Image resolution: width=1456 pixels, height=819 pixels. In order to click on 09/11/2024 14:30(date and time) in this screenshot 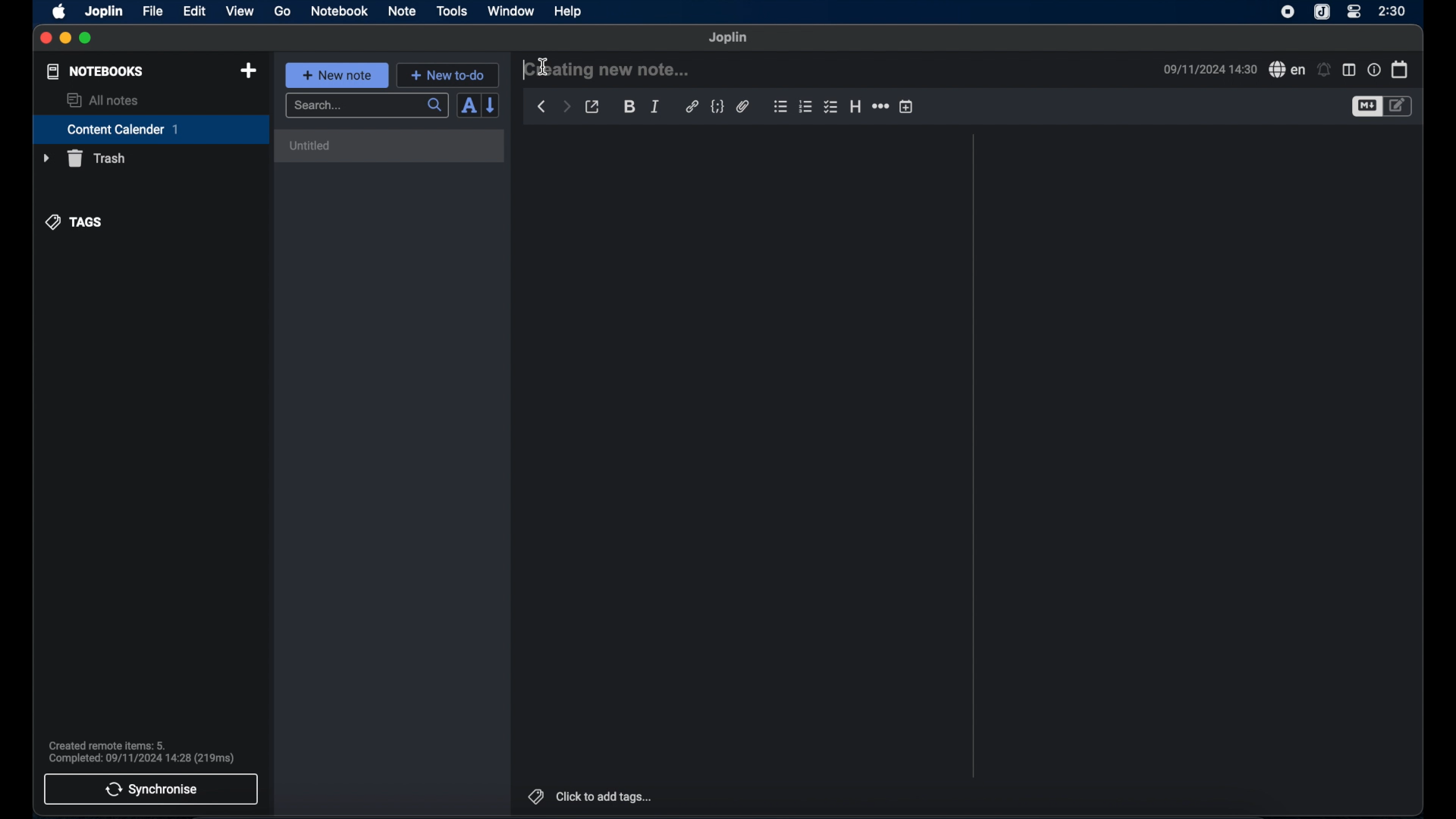, I will do `click(1210, 69)`.